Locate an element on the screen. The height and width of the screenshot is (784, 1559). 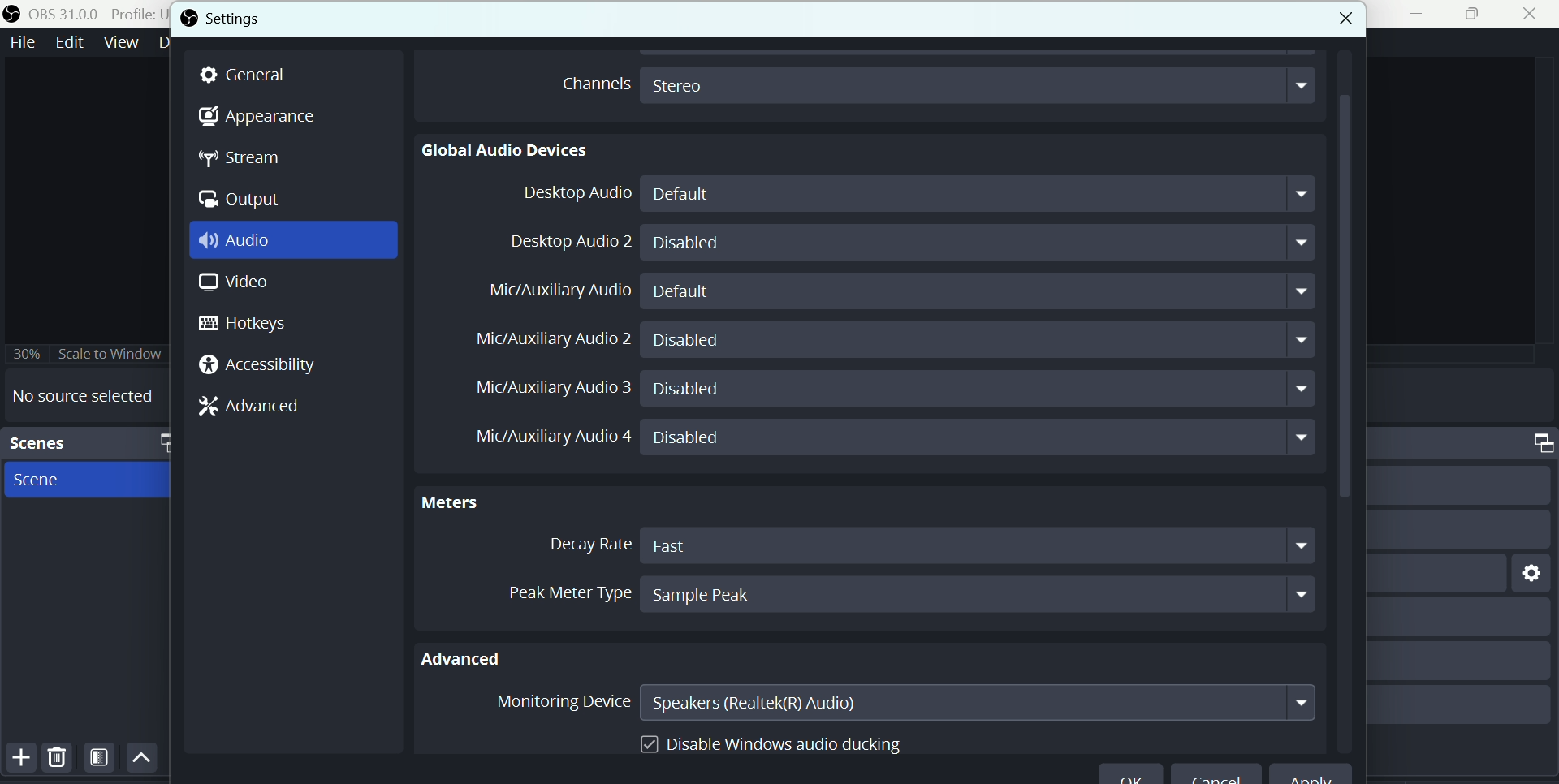
Scene is located at coordinates (46, 482).